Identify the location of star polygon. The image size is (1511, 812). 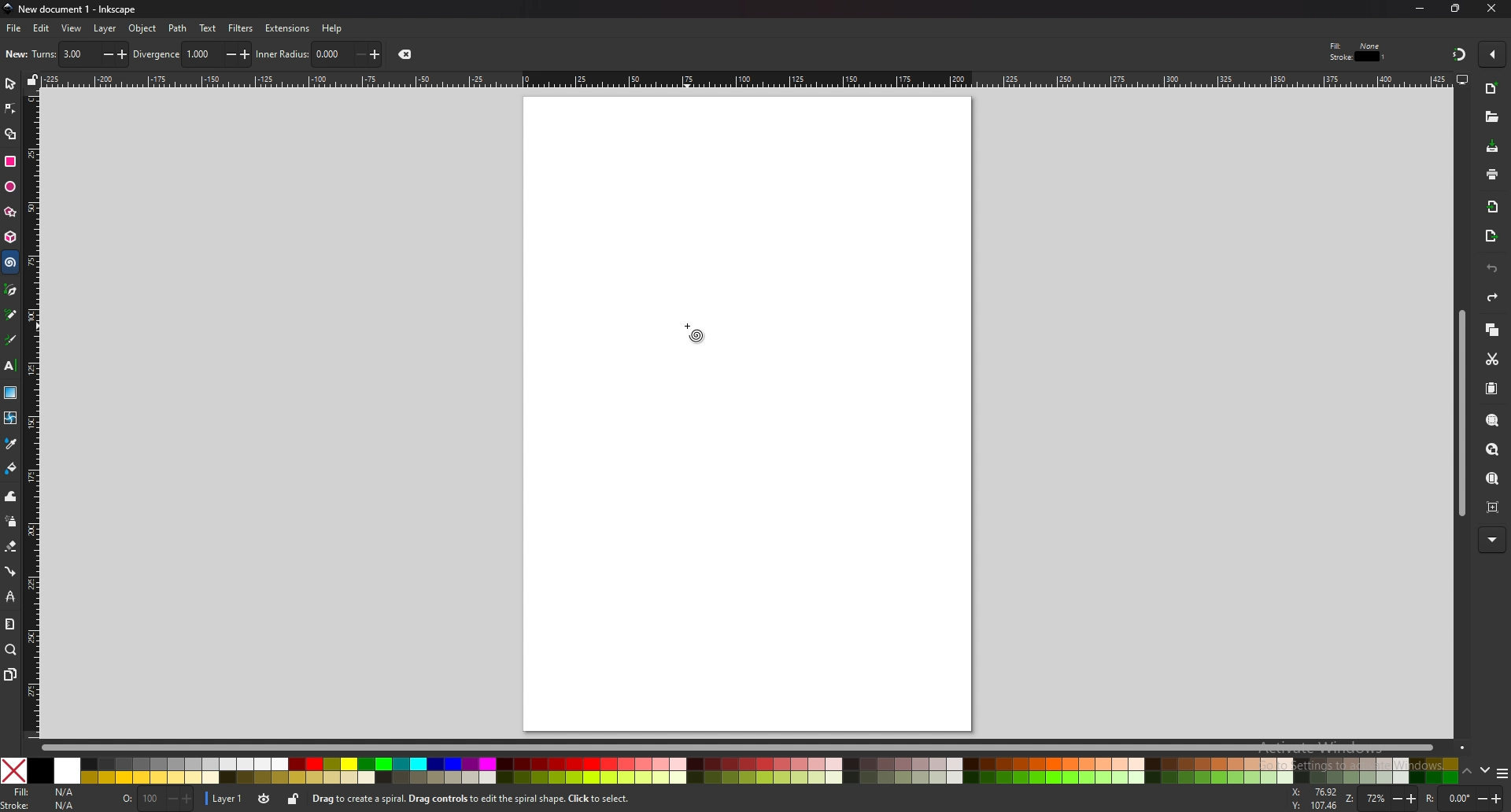
(10, 212).